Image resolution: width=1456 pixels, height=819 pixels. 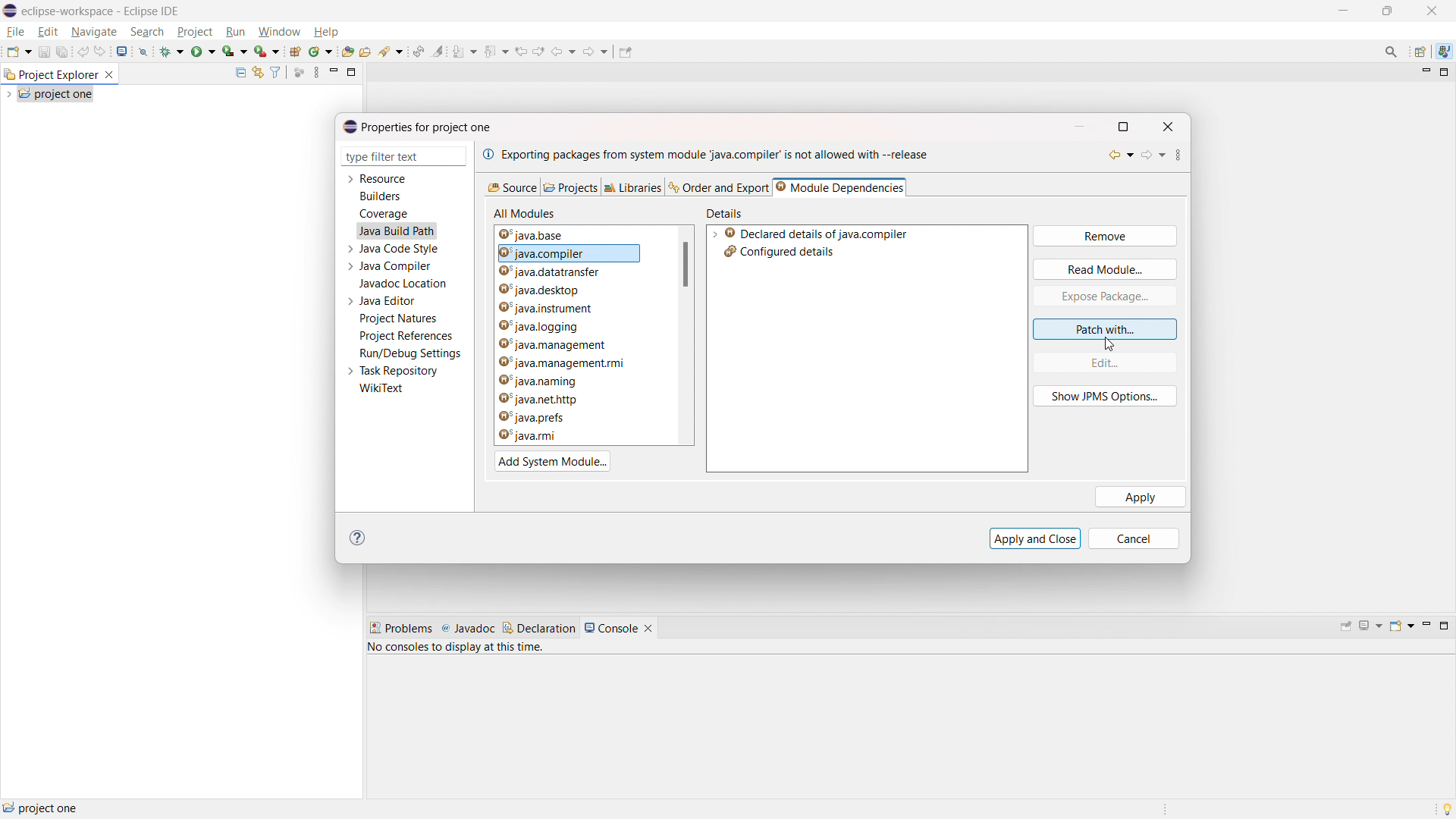 I want to click on edit, so click(x=1103, y=362).